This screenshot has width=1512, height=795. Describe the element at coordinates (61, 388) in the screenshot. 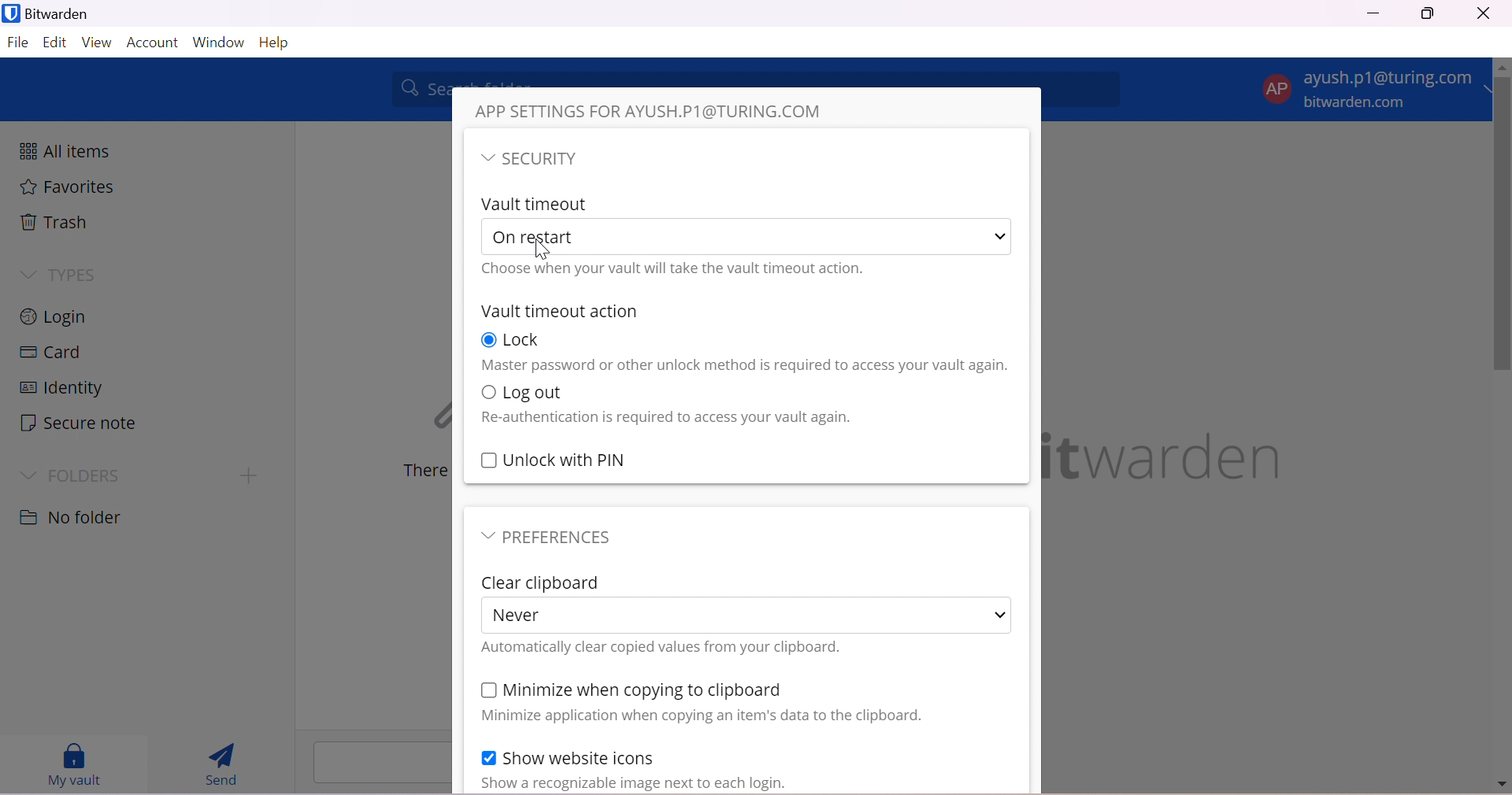

I see `Identity` at that location.